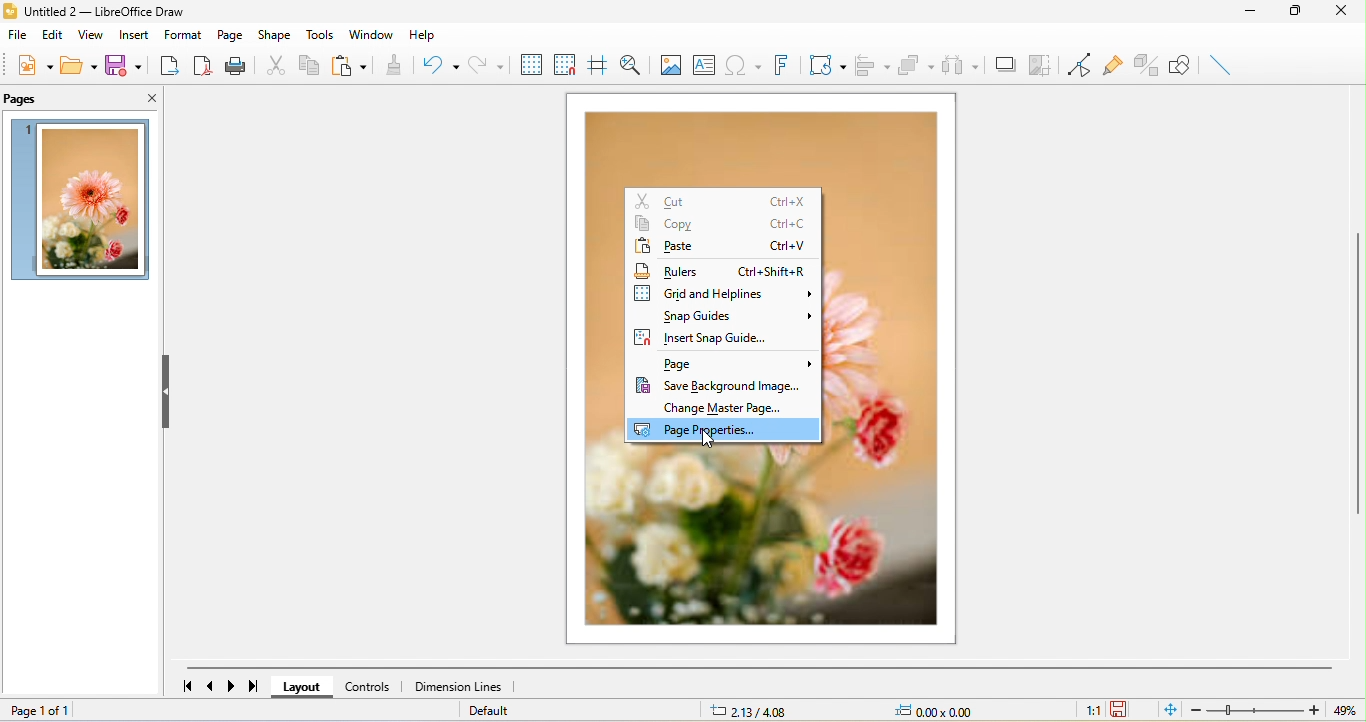  I want to click on image, so click(82, 200).